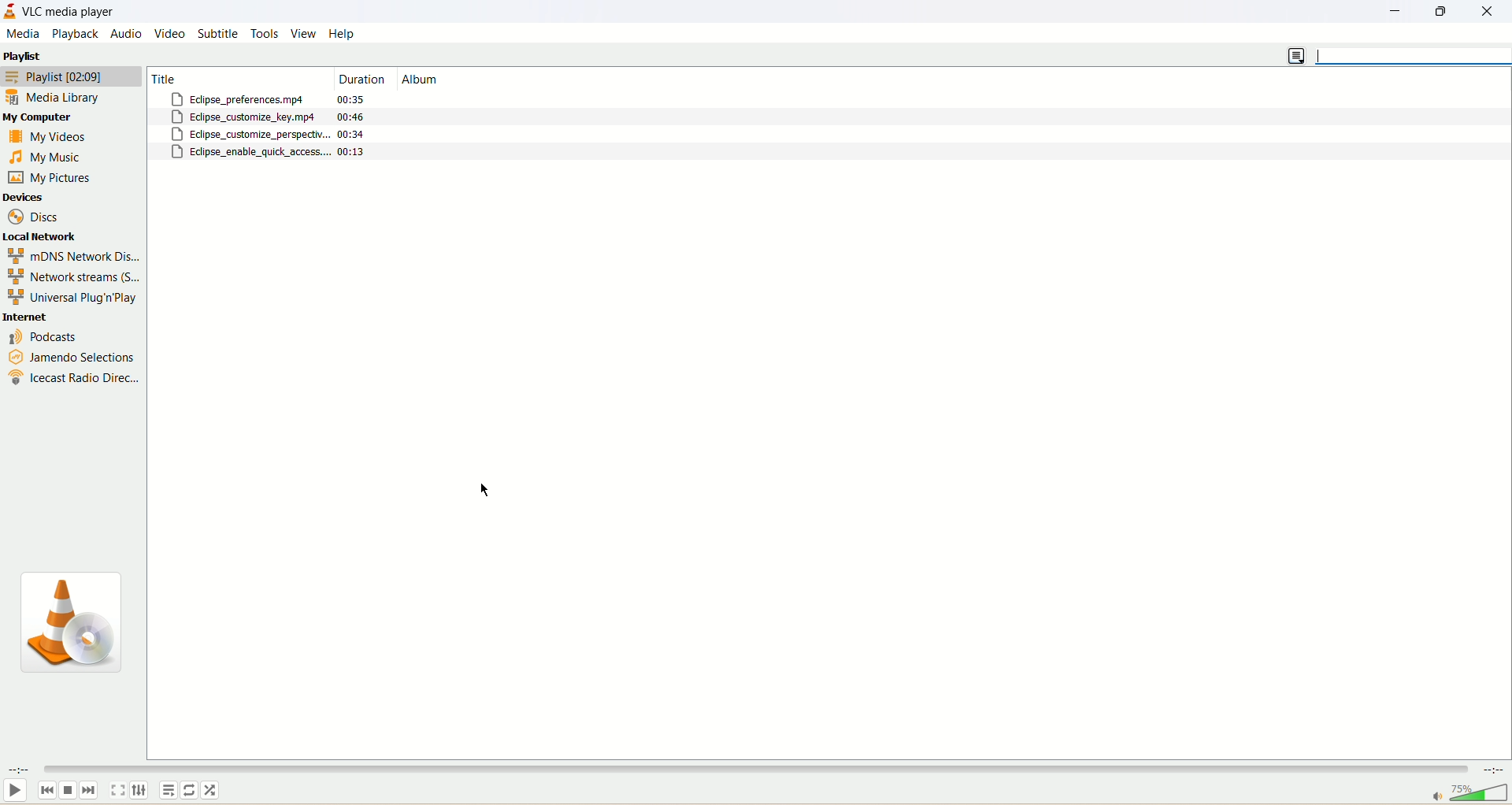 This screenshot has height=805, width=1512. Describe the element at coordinates (48, 136) in the screenshot. I see `my videos` at that location.